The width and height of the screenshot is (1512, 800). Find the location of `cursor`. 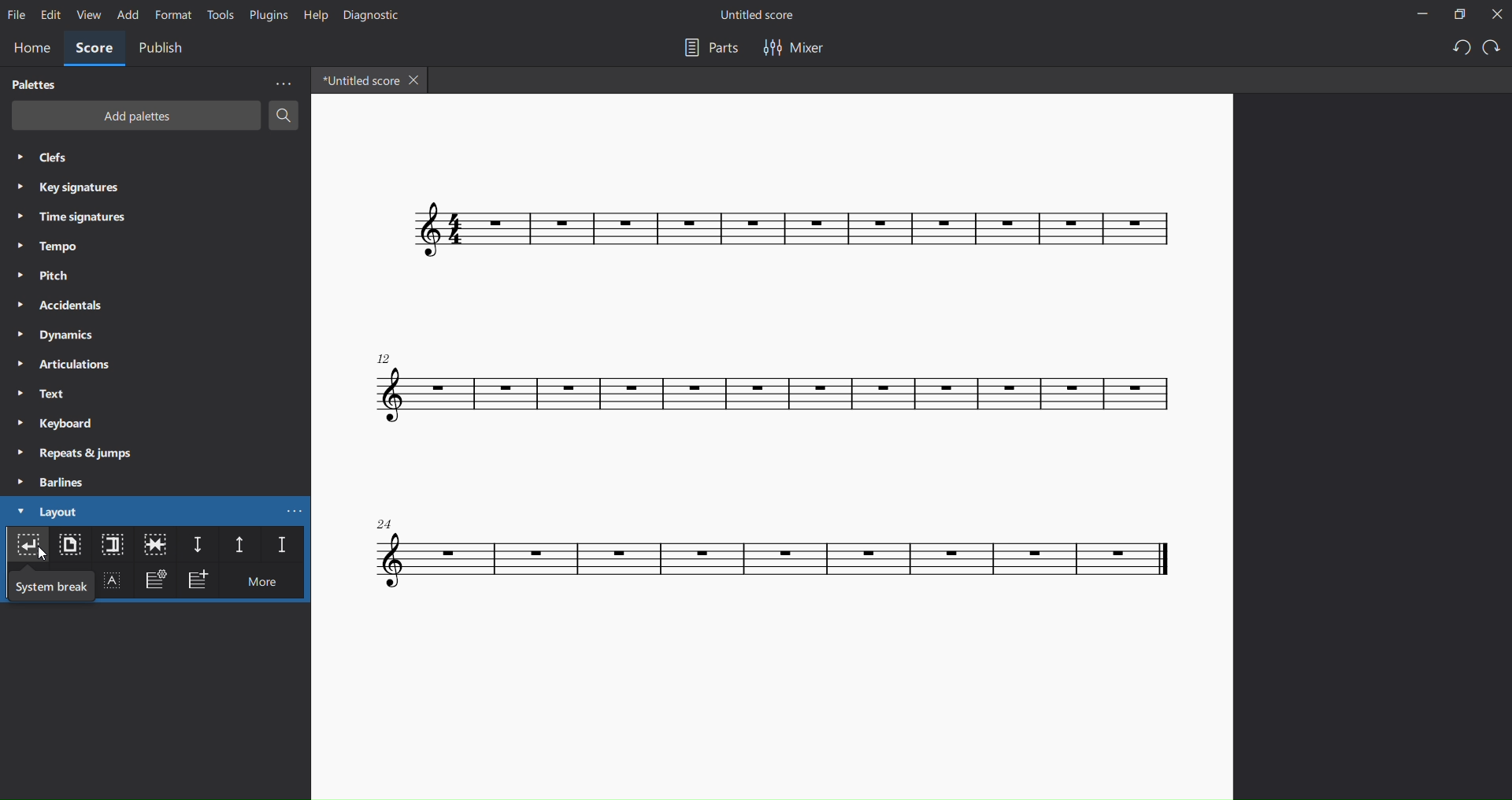

cursor is located at coordinates (46, 561).